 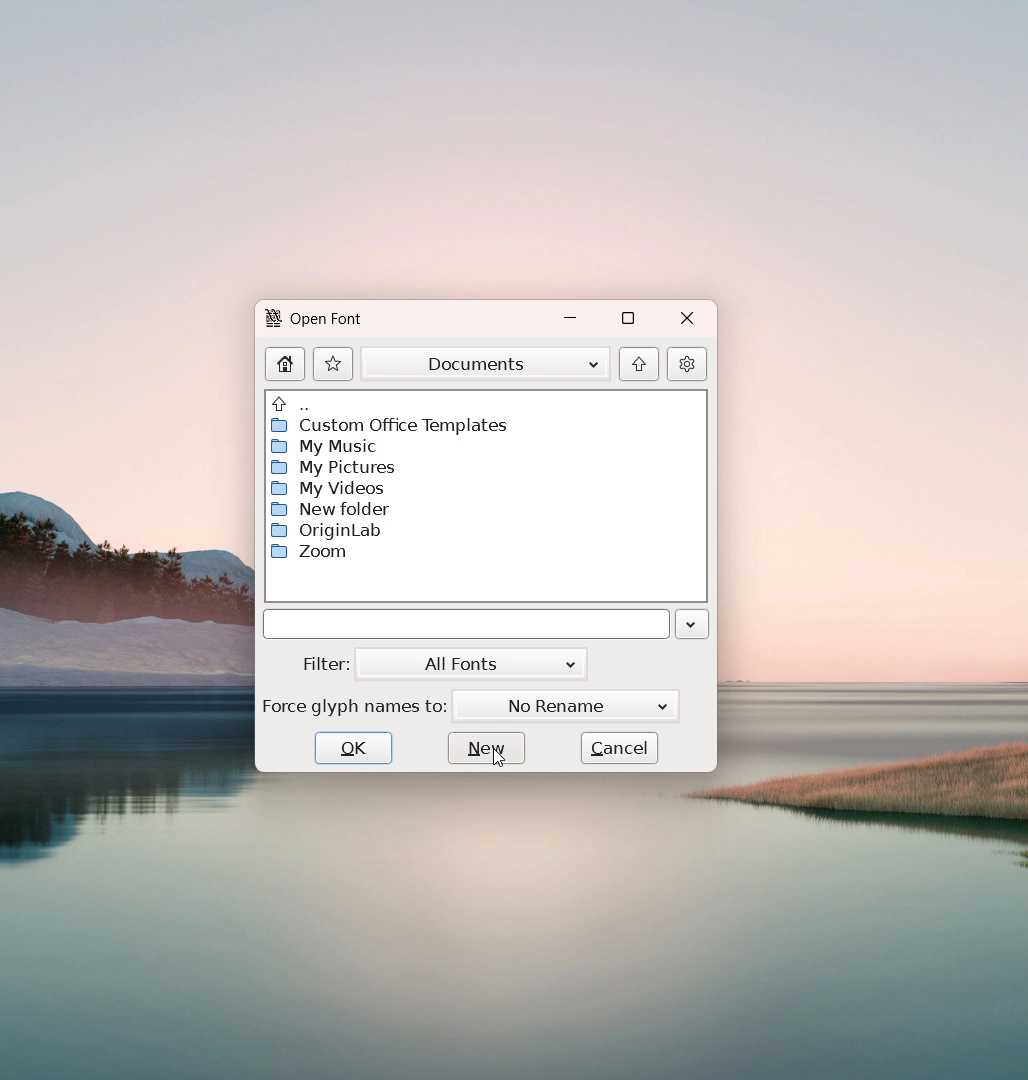 I want to click on all fonts, so click(x=470, y=665).